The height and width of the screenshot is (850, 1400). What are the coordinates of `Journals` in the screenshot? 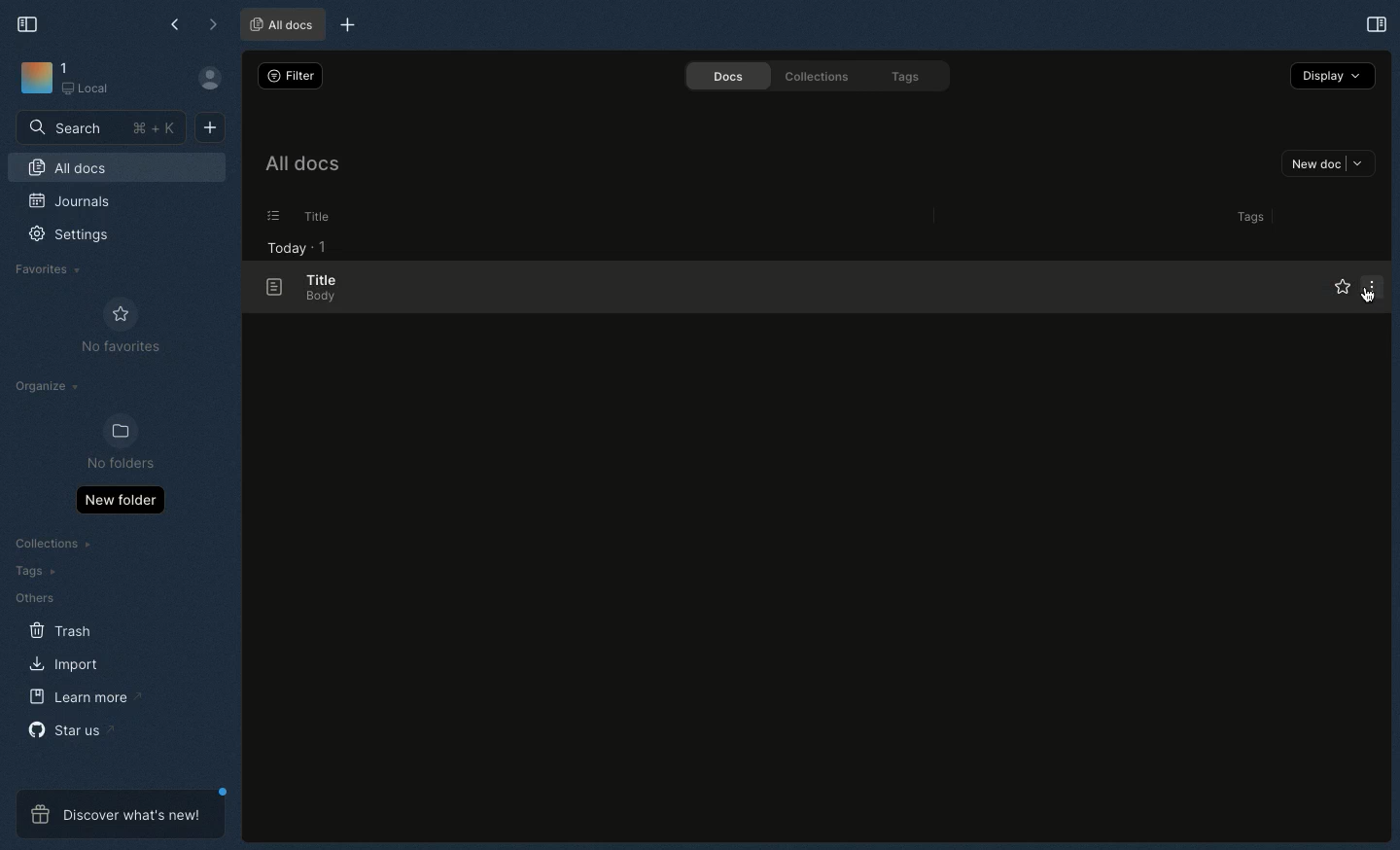 It's located at (71, 203).